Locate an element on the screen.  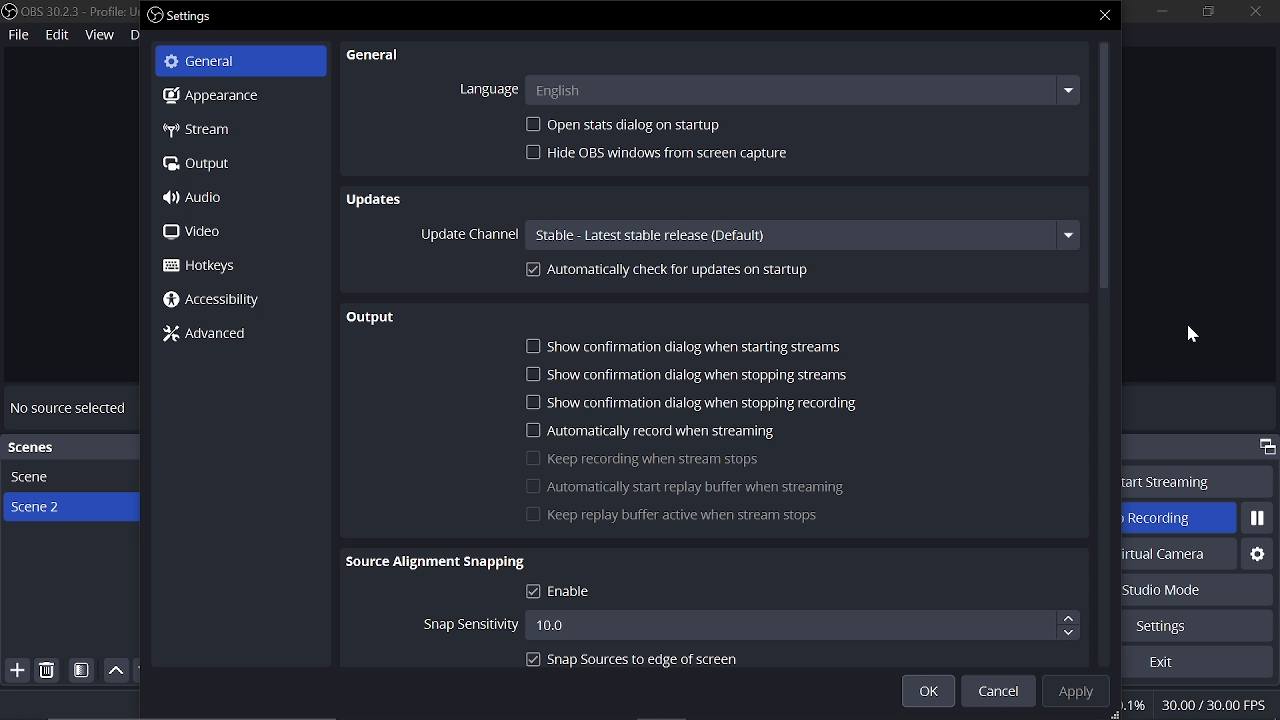
show confirmation dialog when stopping stream is located at coordinates (696, 375).